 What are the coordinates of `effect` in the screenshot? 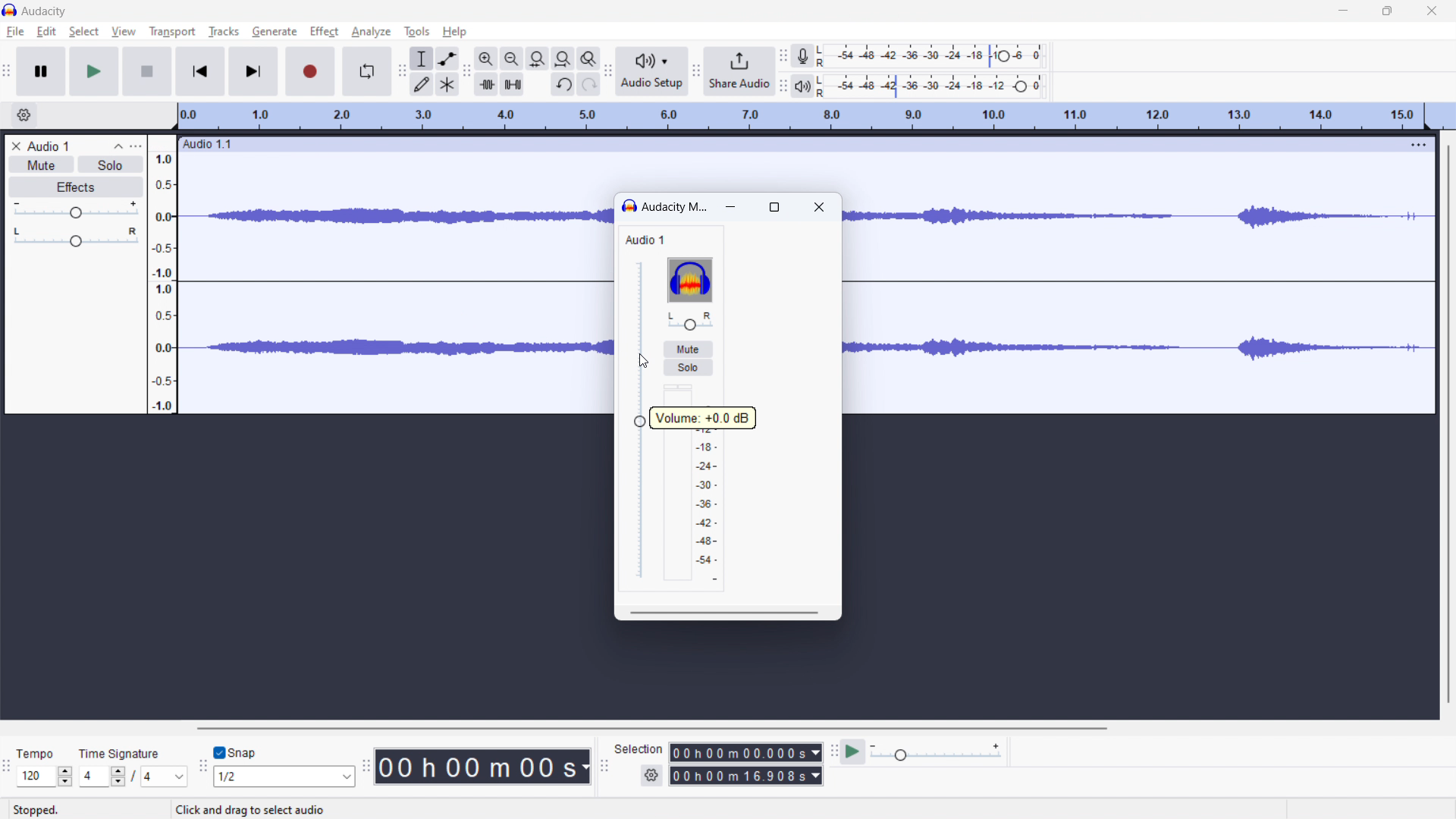 It's located at (324, 31).